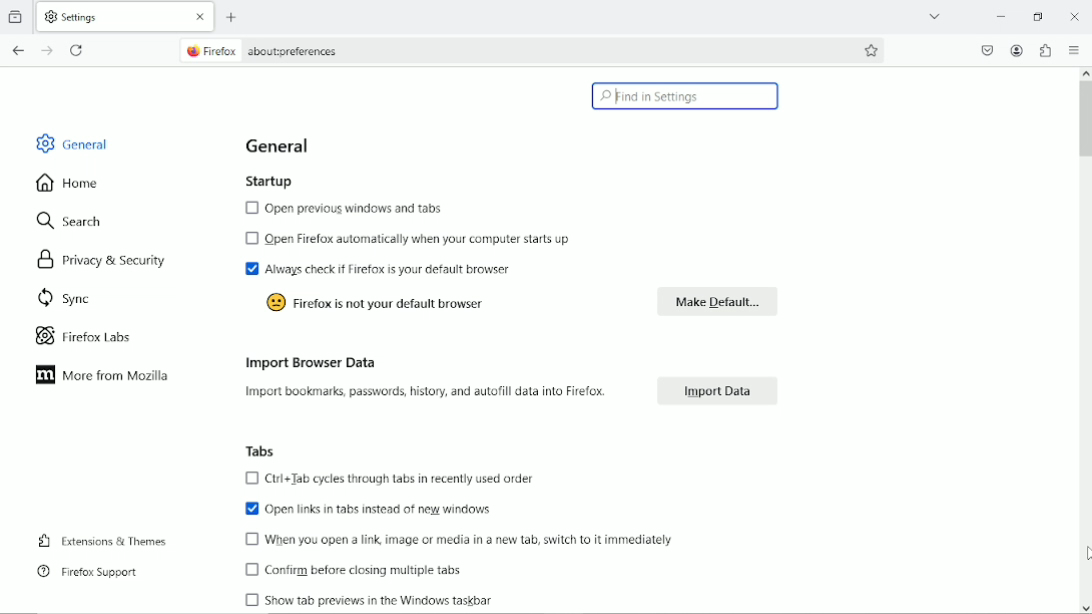 Image resolution: width=1092 pixels, height=614 pixels. Describe the element at coordinates (1018, 51) in the screenshot. I see `account` at that location.